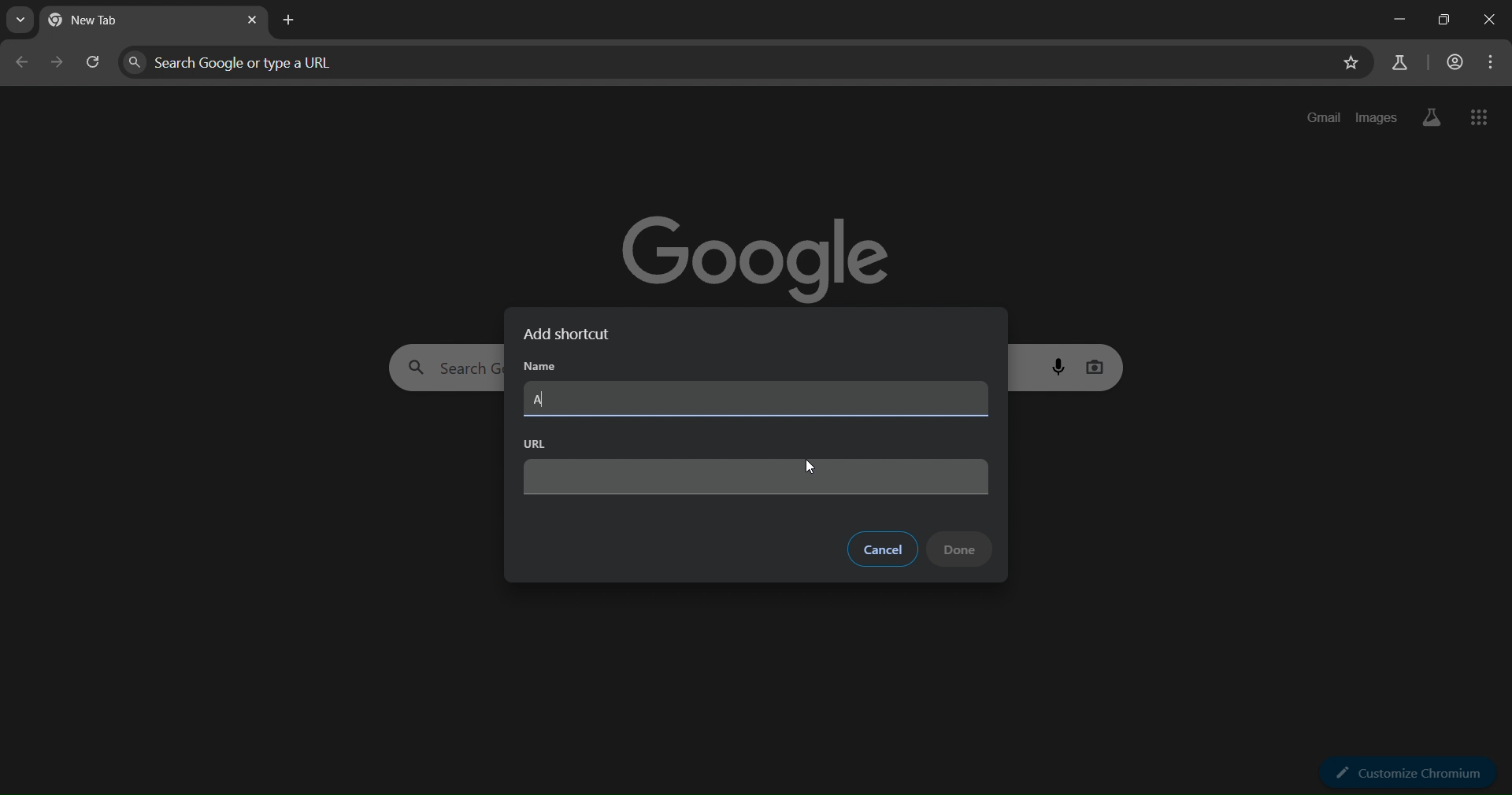 The height and width of the screenshot is (795, 1512). I want to click on restore down, so click(1439, 21).